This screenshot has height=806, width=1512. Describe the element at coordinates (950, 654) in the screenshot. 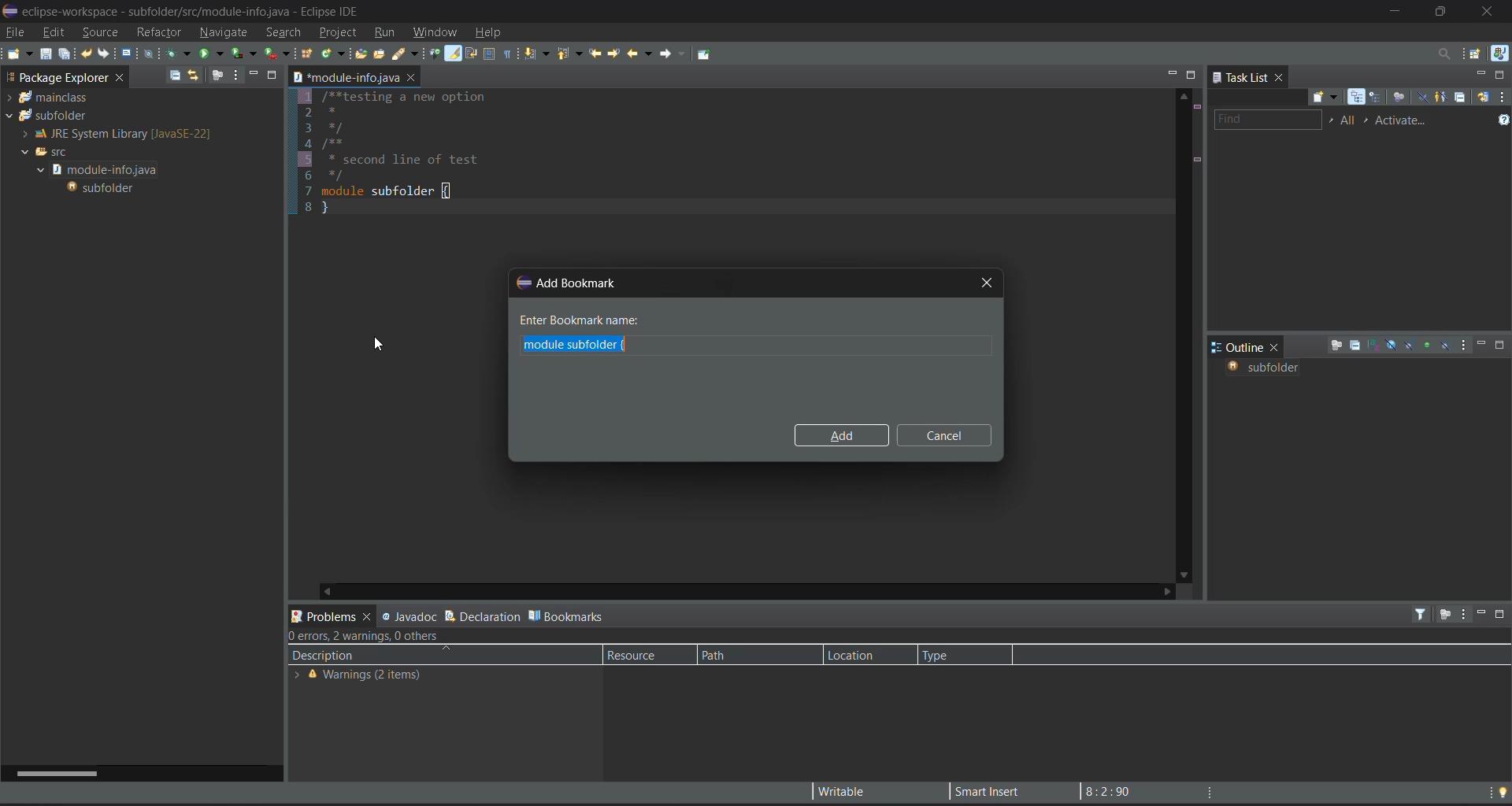

I see `type` at that location.